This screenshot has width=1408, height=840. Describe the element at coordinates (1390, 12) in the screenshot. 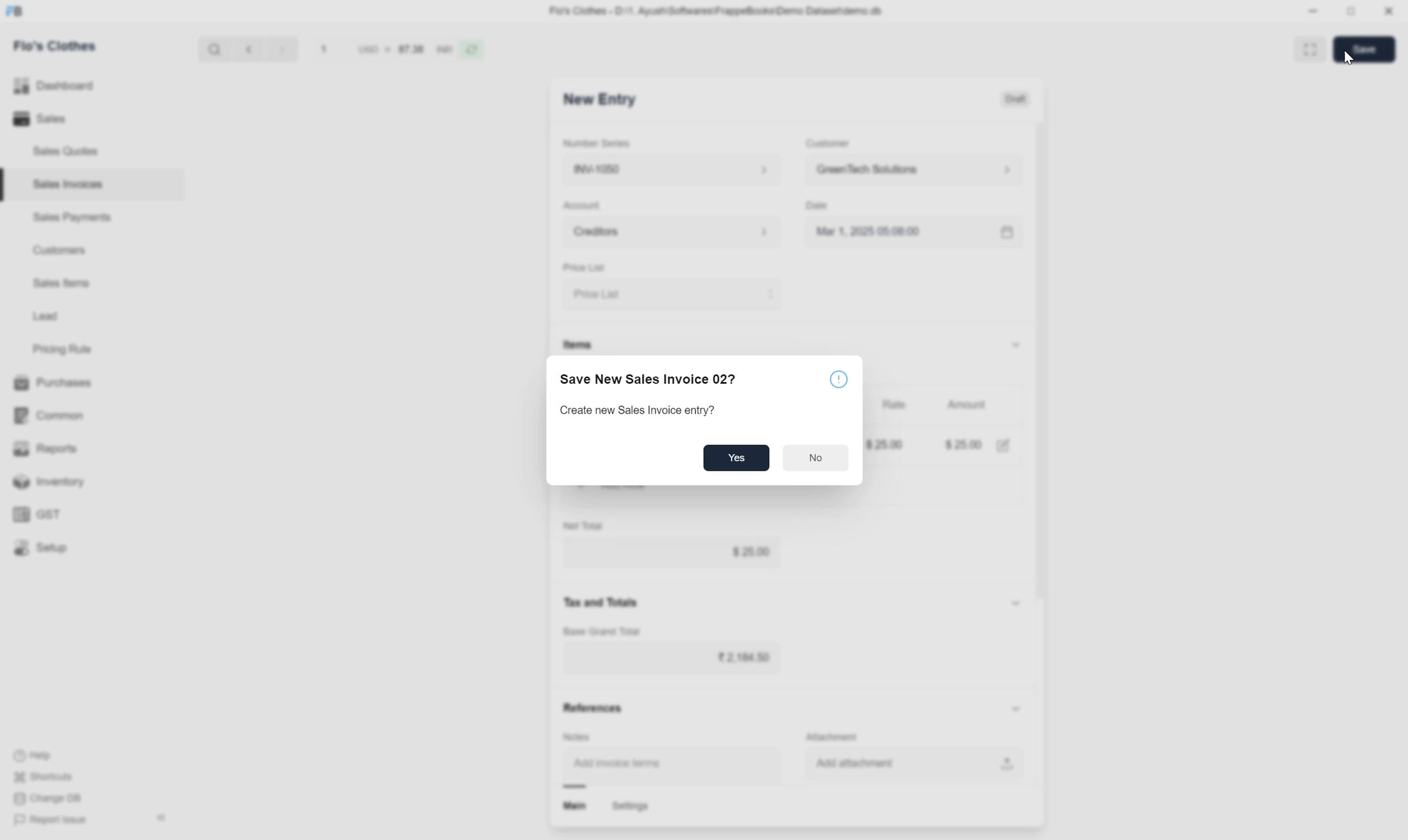

I see `close ` at that location.